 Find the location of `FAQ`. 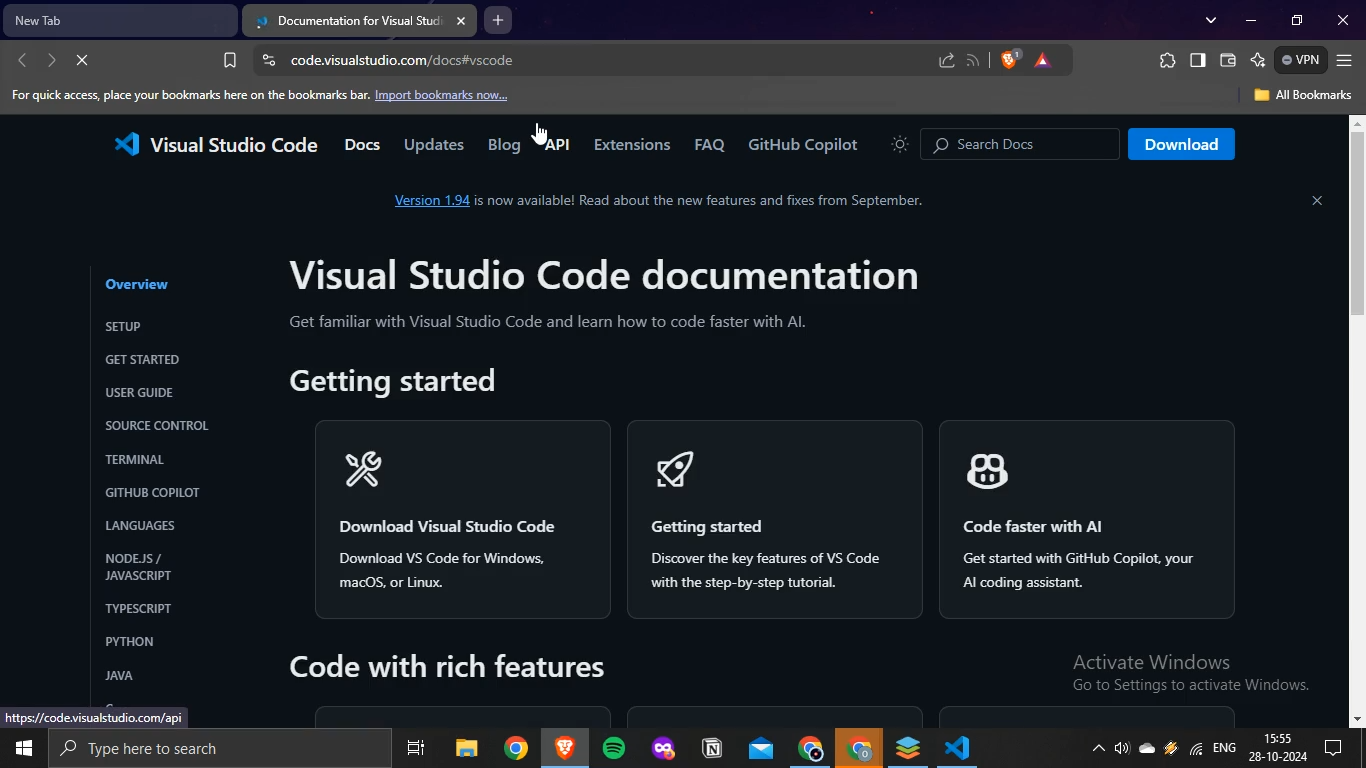

FAQ is located at coordinates (703, 145).